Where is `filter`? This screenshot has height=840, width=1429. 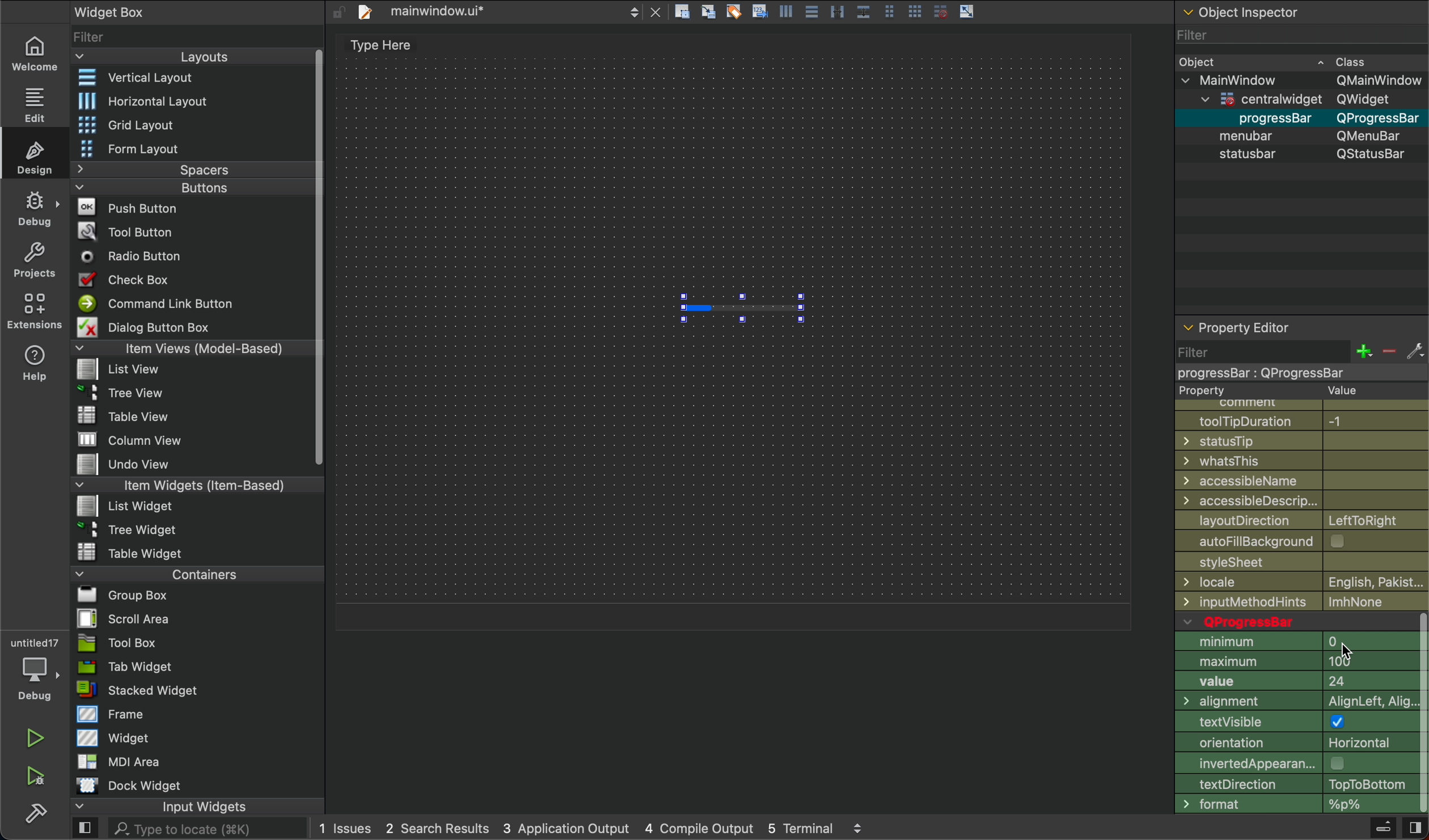
filter is located at coordinates (1299, 360).